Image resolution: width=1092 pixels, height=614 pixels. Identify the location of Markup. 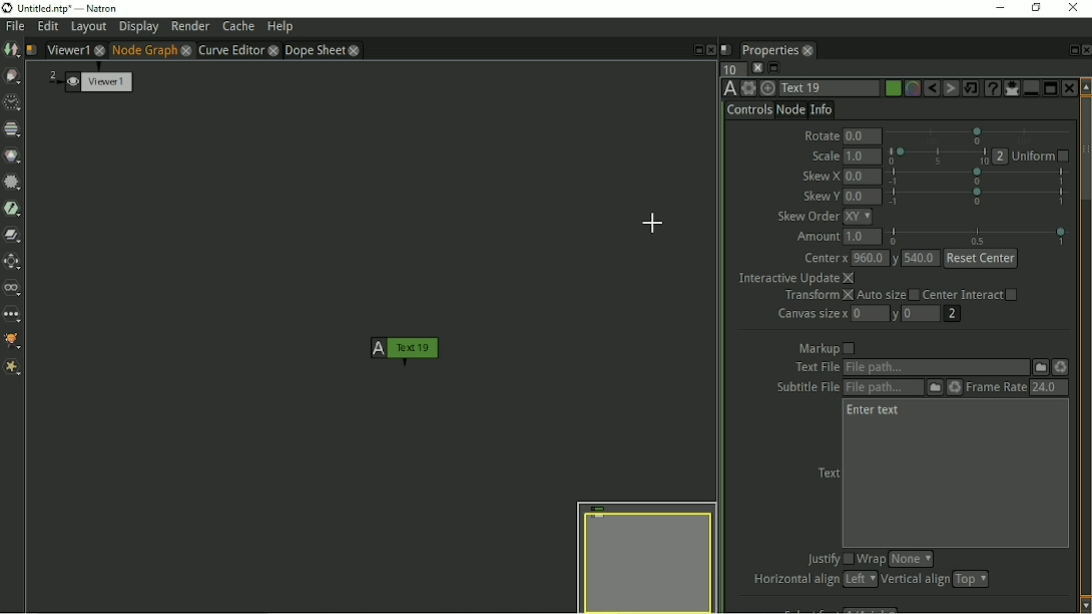
(825, 348).